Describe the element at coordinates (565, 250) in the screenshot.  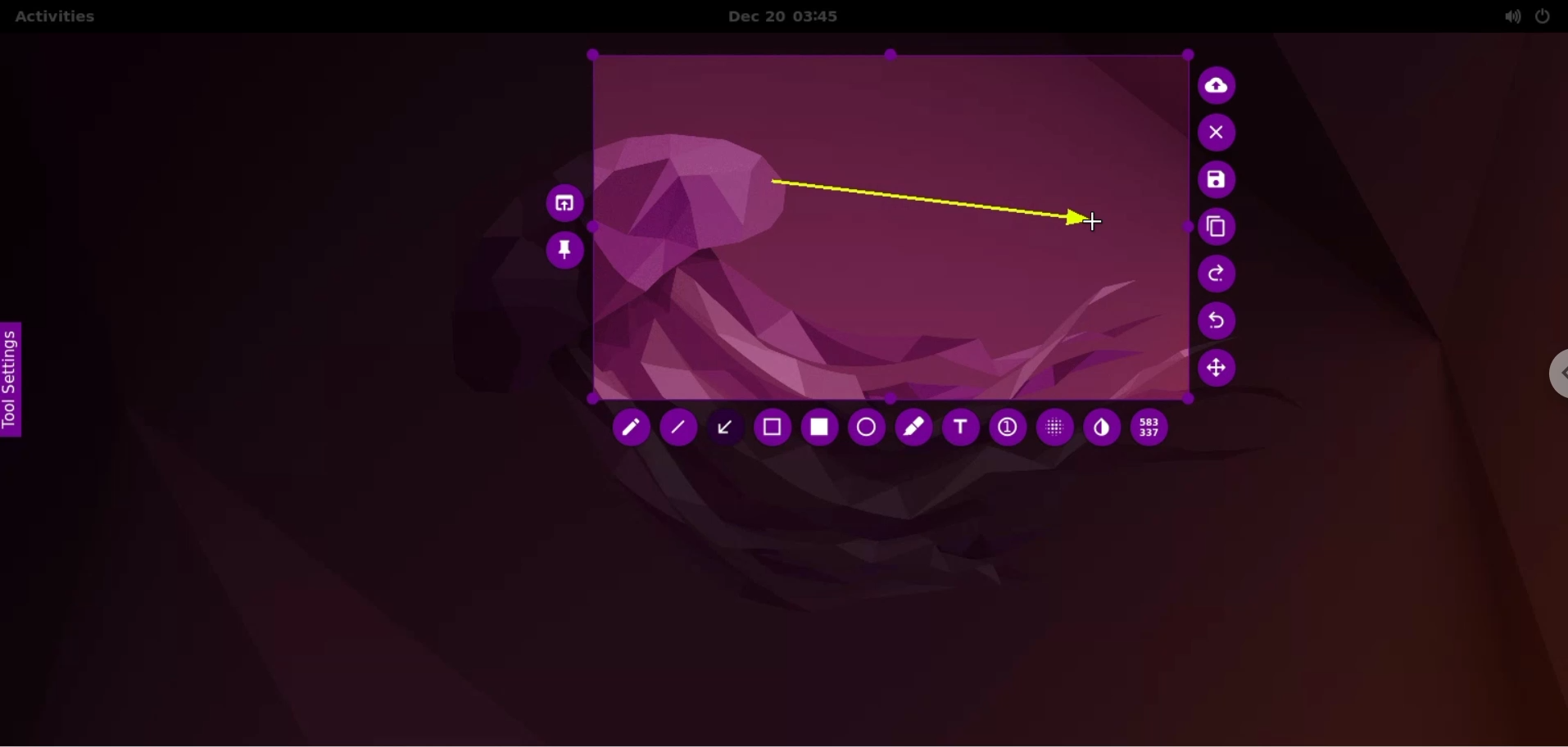
I see `pin` at that location.